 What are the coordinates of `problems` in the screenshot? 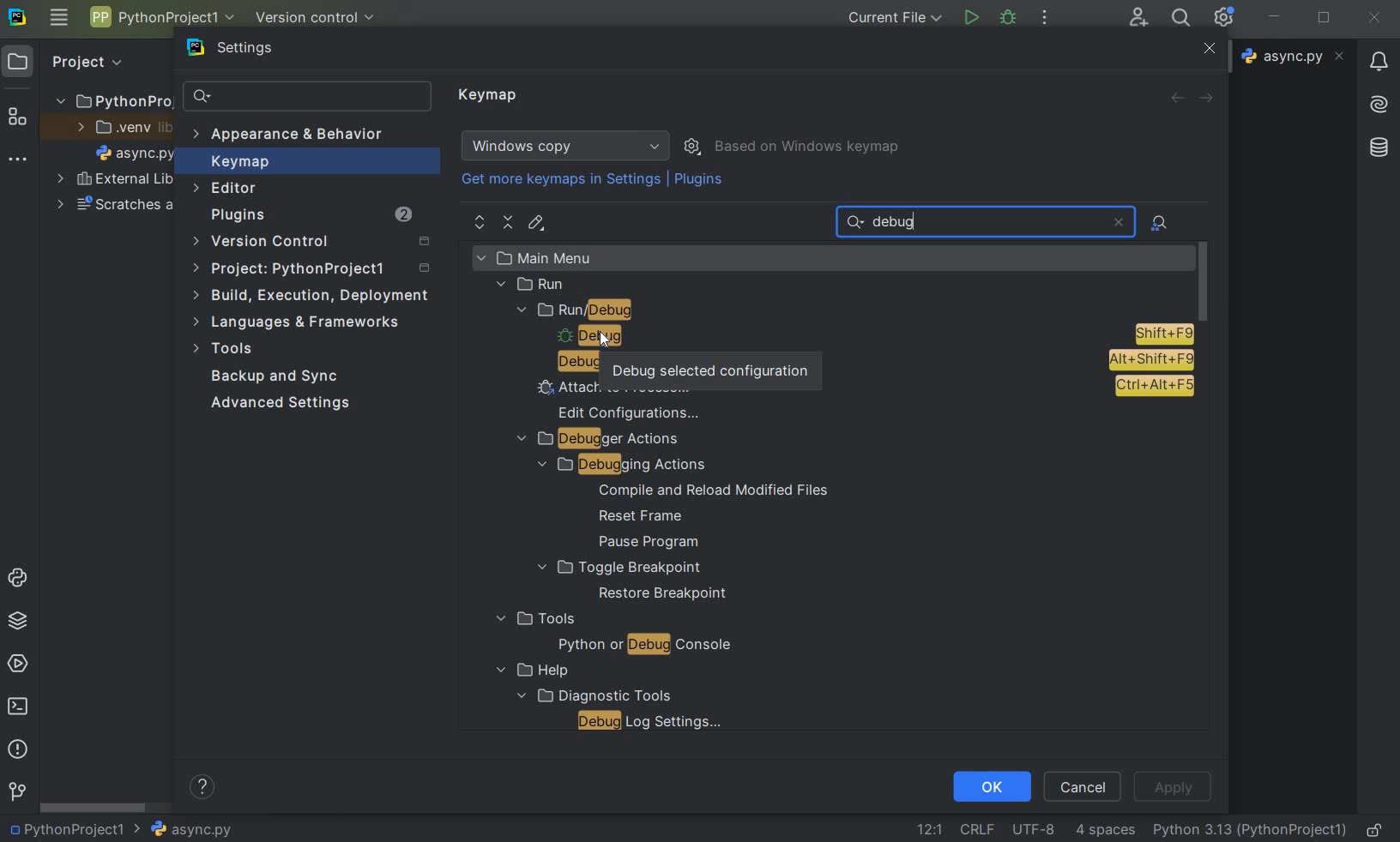 It's located at (16, 748).